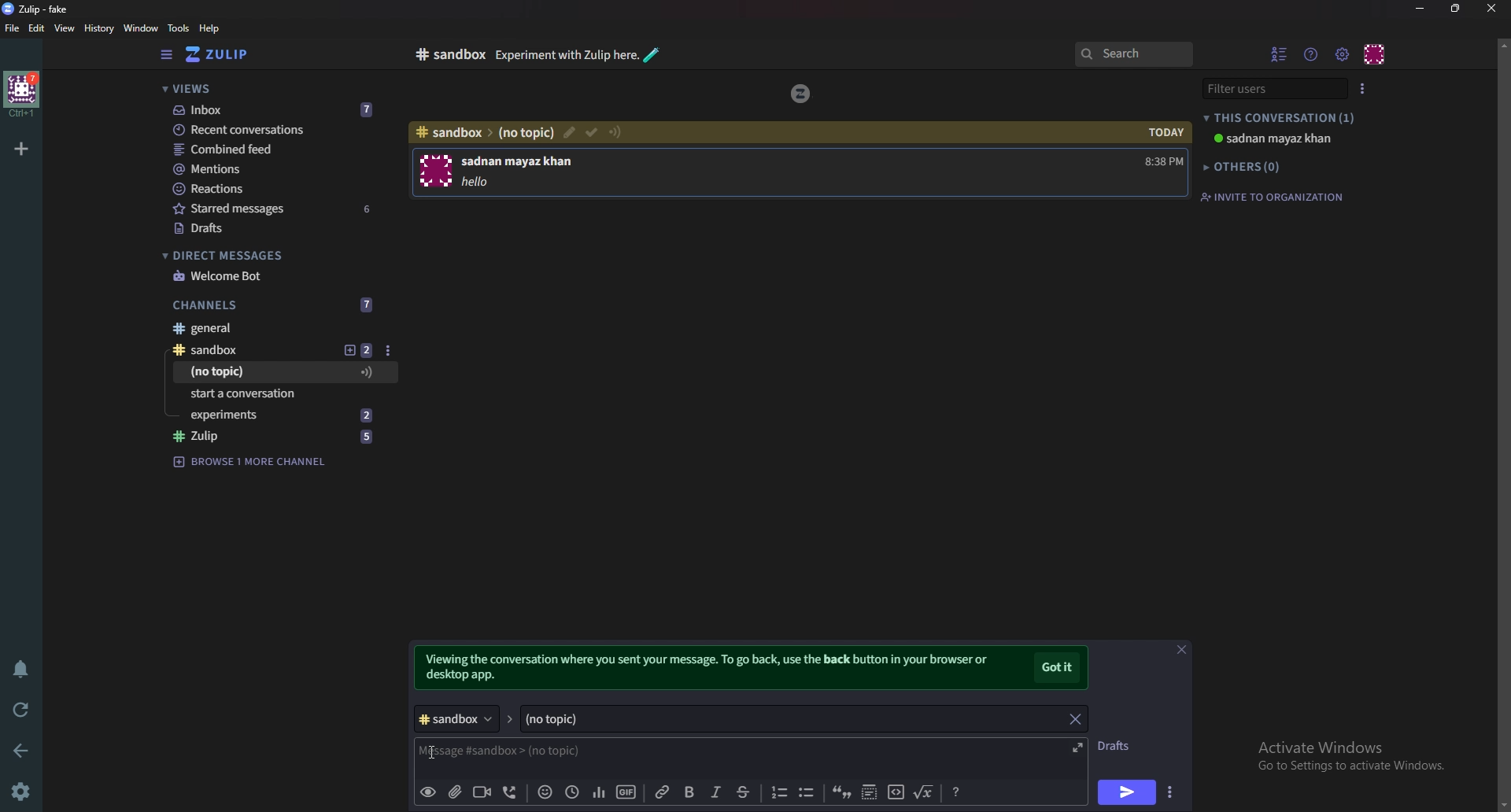 This screenshot has height=812, width=1511. Describe the element at coordinates (272, 169) in the screenshot. I see `Mentions` at that location.